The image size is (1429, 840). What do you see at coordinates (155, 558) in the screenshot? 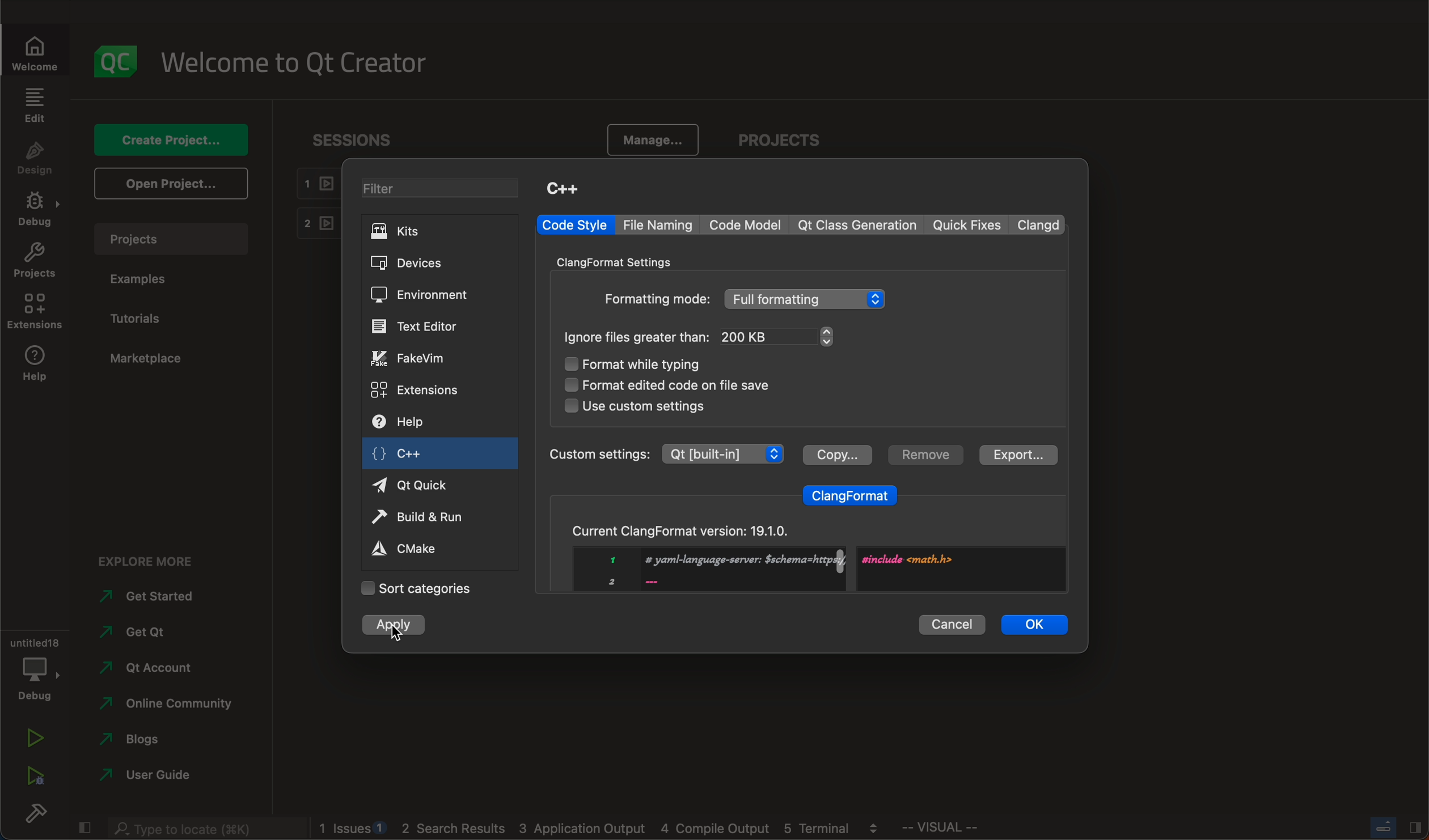
I see `explore` at bounding box center [155, 558].